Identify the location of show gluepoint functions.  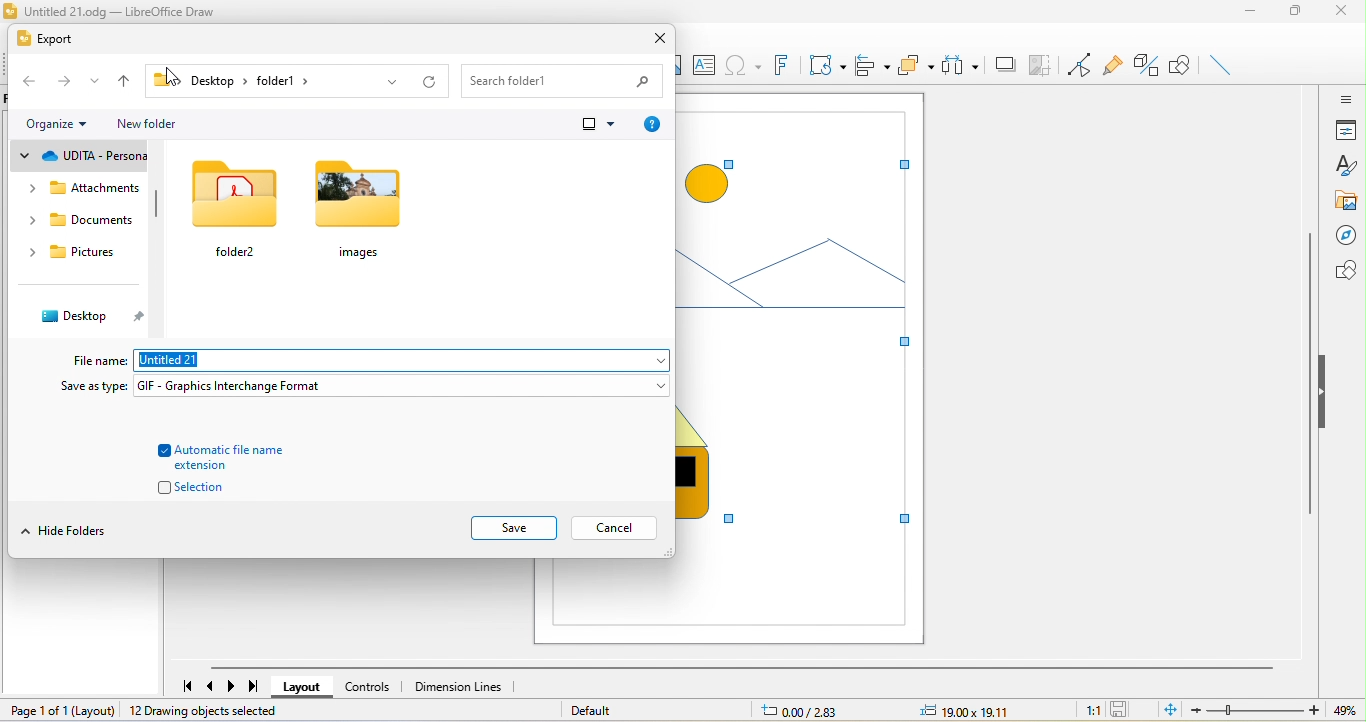
(1118, 68).